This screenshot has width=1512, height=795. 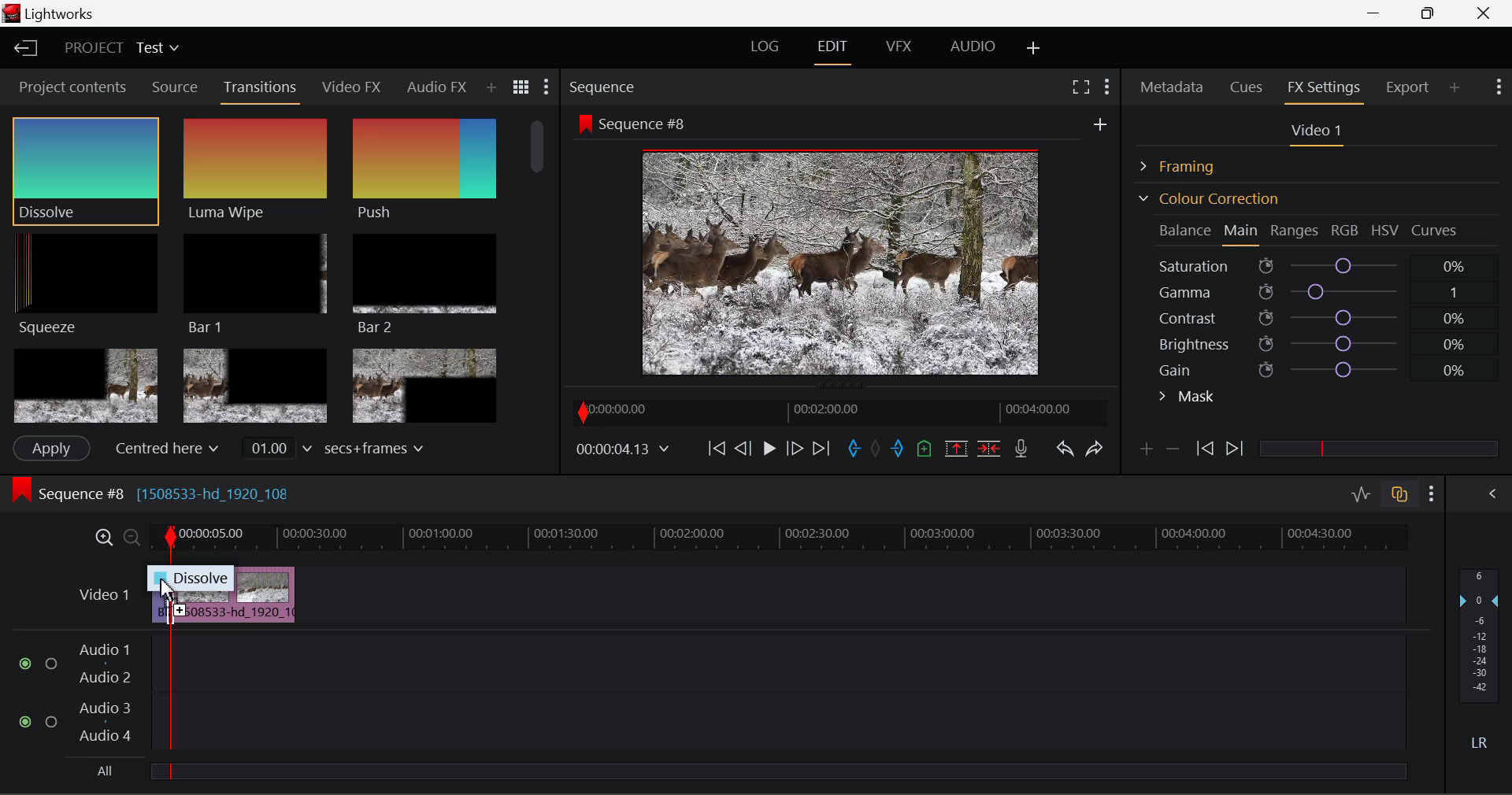 What do you see at coordinates (86, 386) in the screenshot?
I see `Box 1` at bounding box center [86, 386].